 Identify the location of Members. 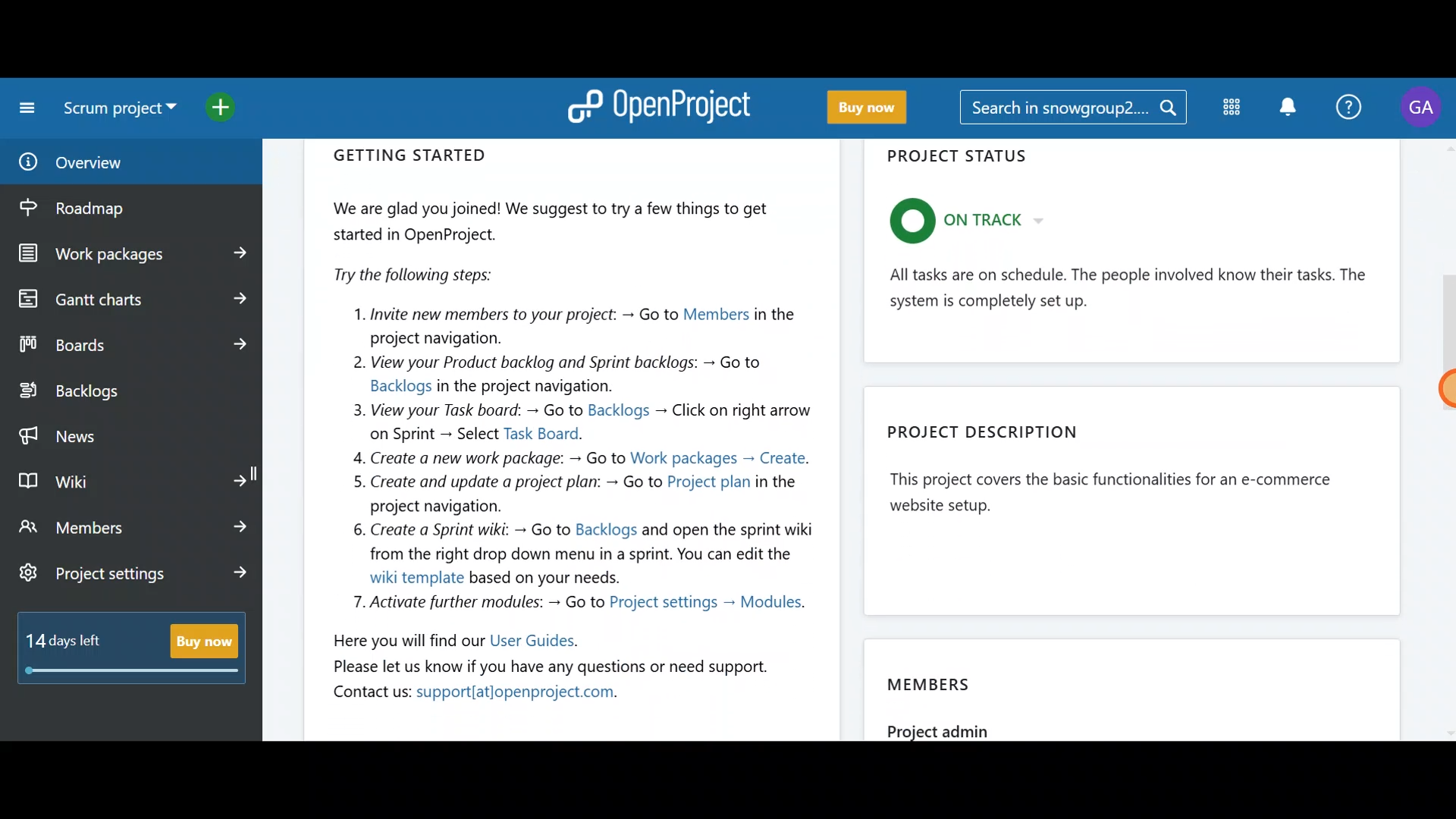
(135, 526).